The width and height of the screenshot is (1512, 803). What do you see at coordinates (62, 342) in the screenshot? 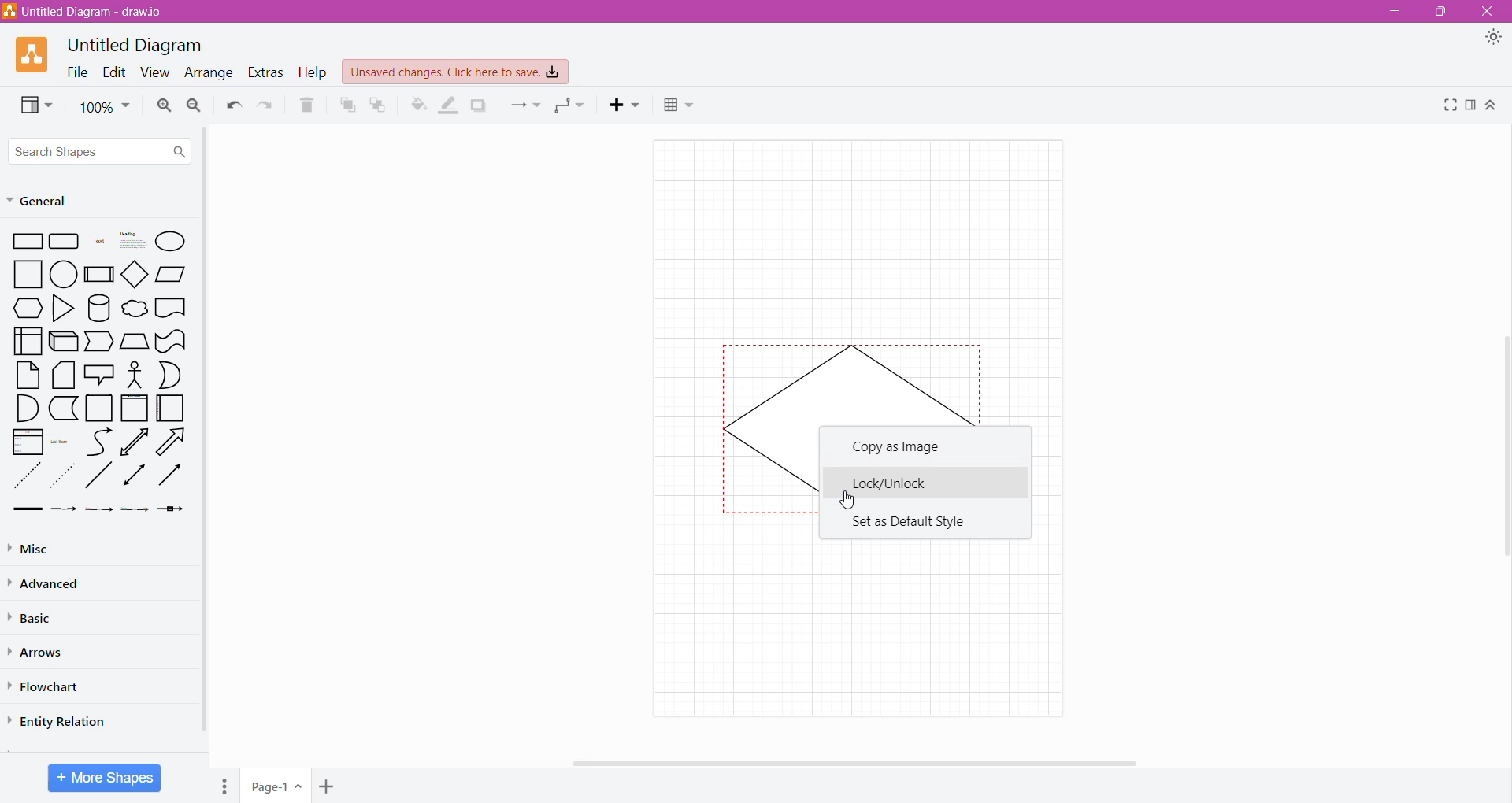
I see `Cube` at bounding box center [62, 342].